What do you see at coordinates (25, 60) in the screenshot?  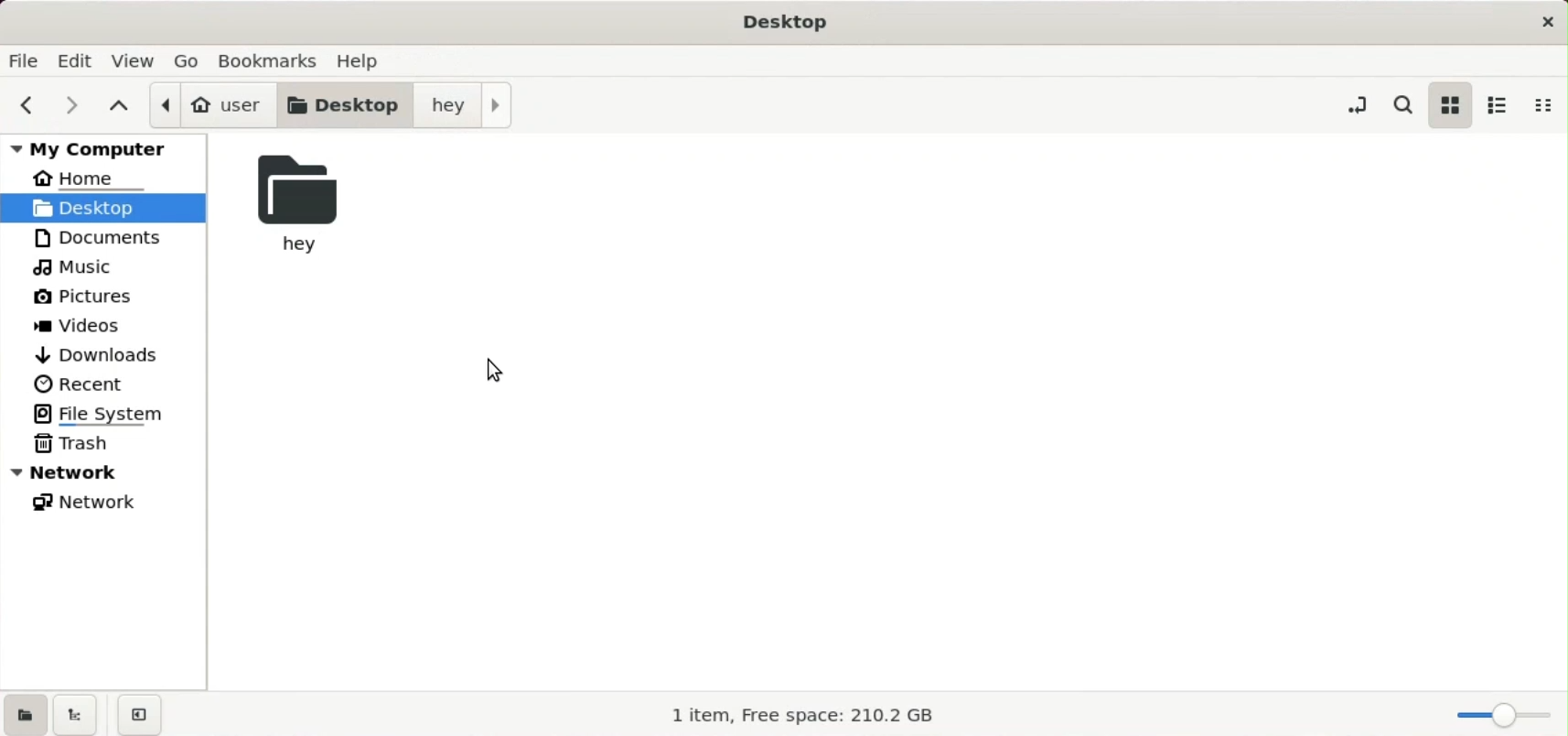 I see `file` at bounding box center [25, 60].